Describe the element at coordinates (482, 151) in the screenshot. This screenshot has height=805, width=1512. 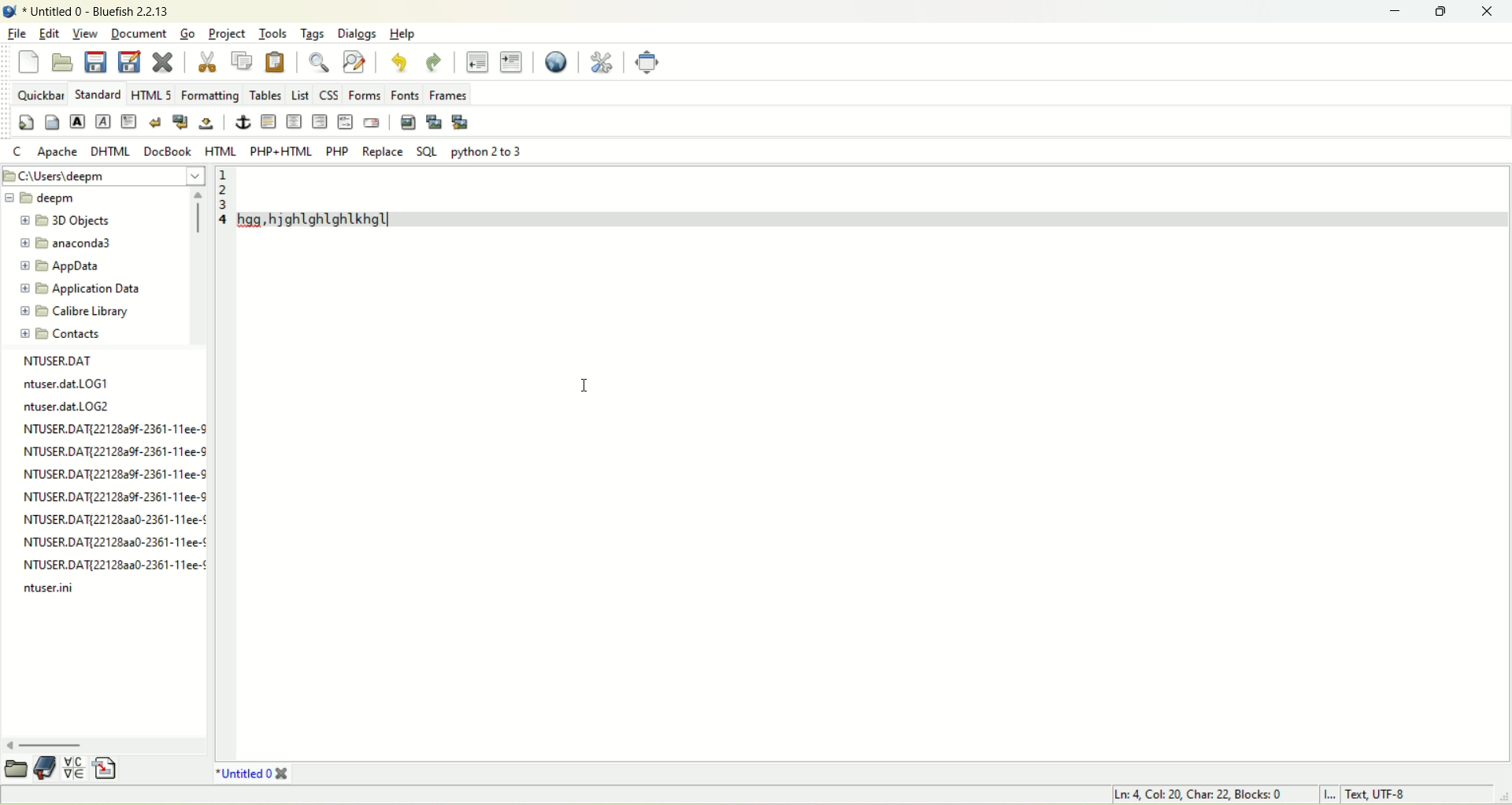
I see `python 2 to 3` at that location.